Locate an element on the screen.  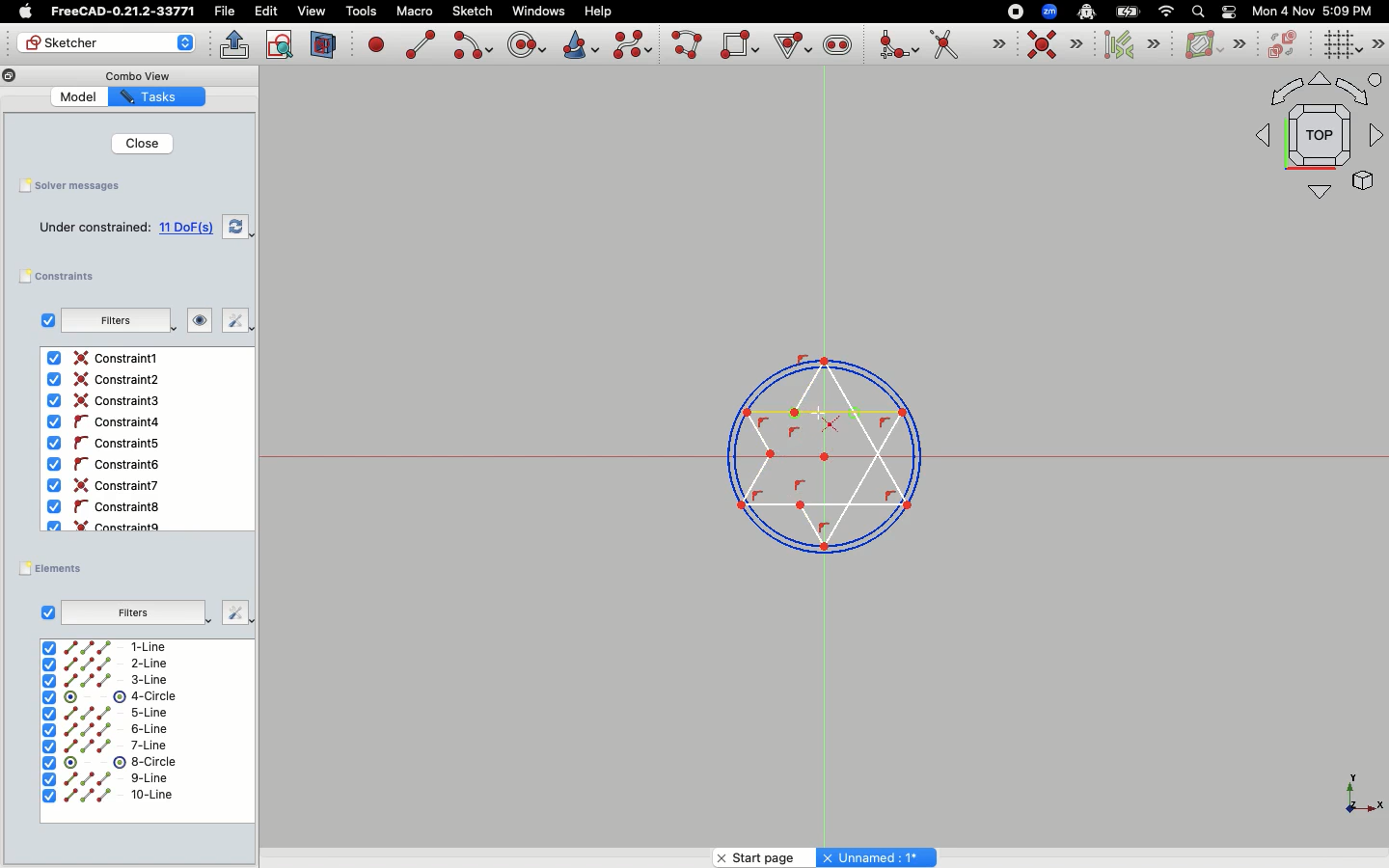
Constraints is located at coordinates (65, 277).